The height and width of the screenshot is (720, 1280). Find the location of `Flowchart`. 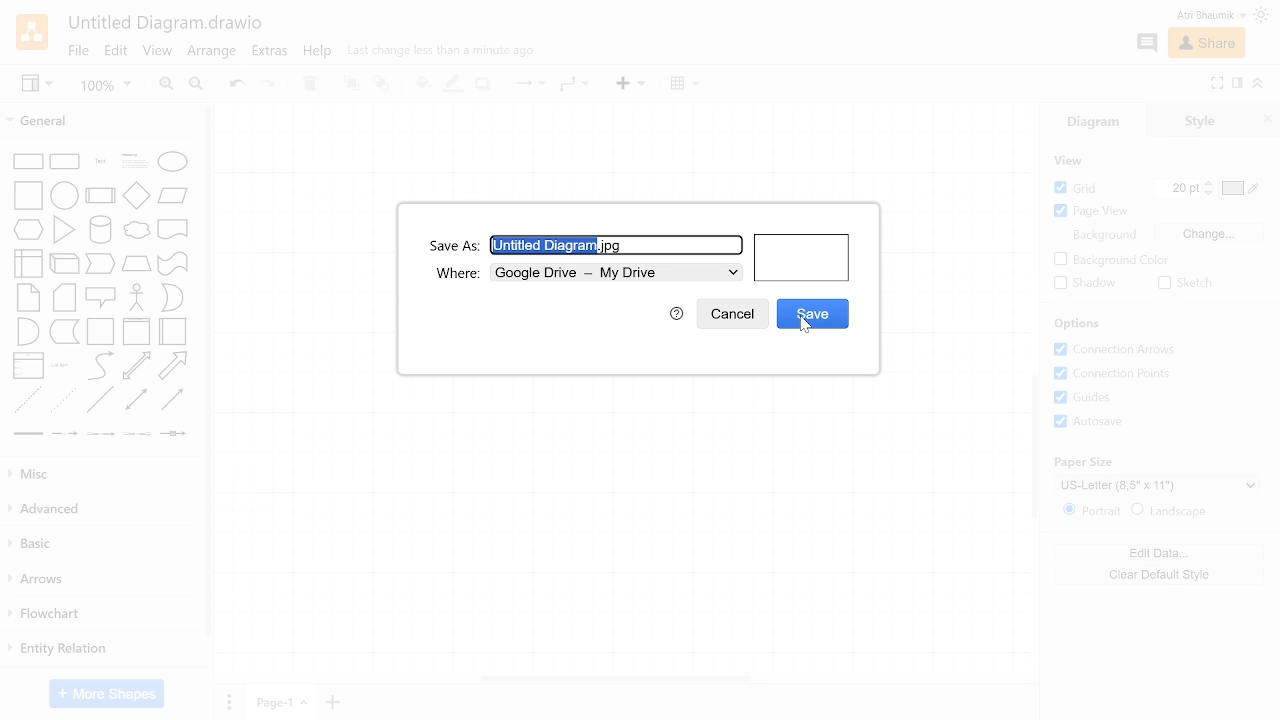

Flowchart is located at coordinates (105, 613).